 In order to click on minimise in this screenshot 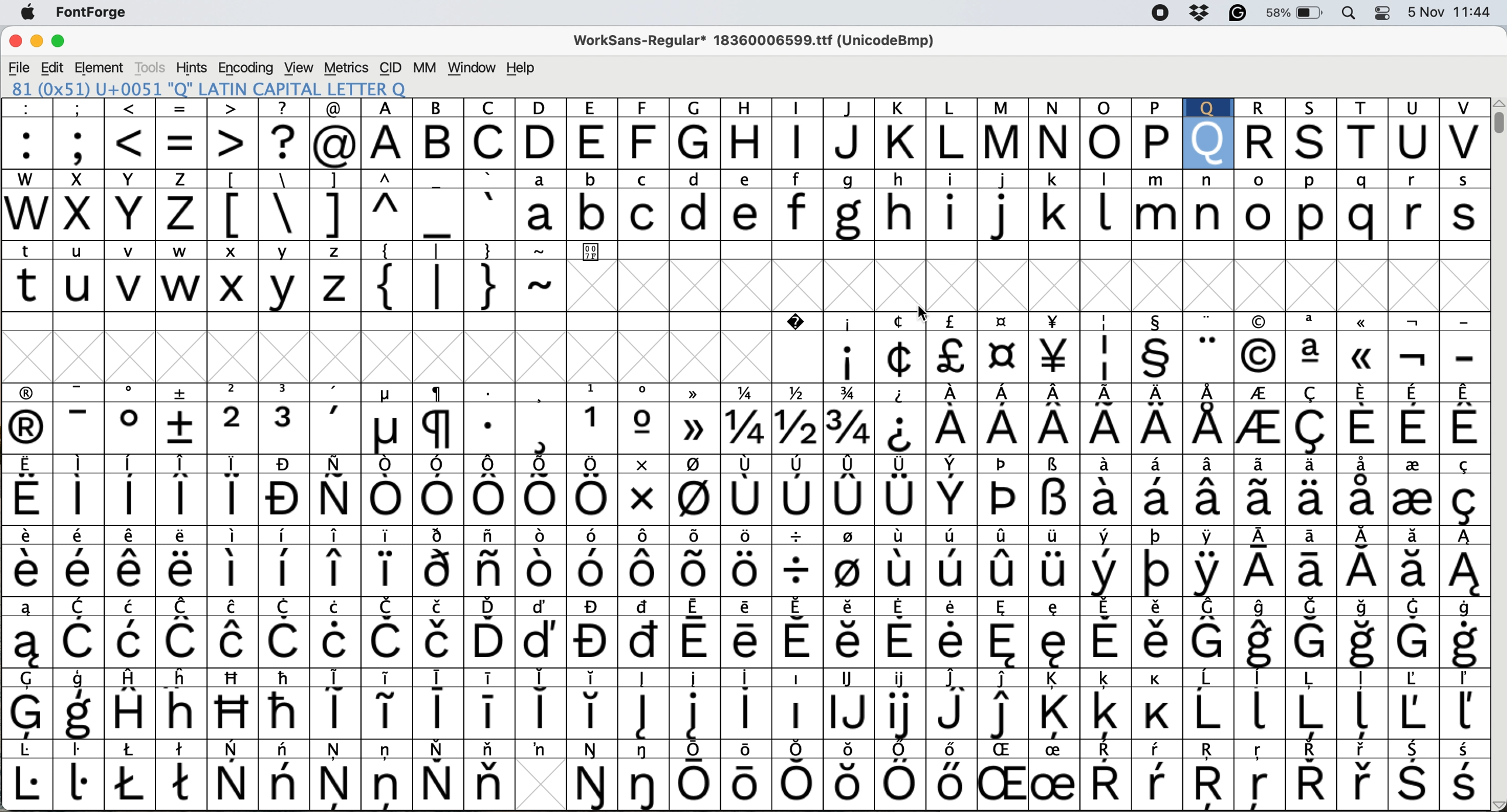, I will do `click(33, 40)`.